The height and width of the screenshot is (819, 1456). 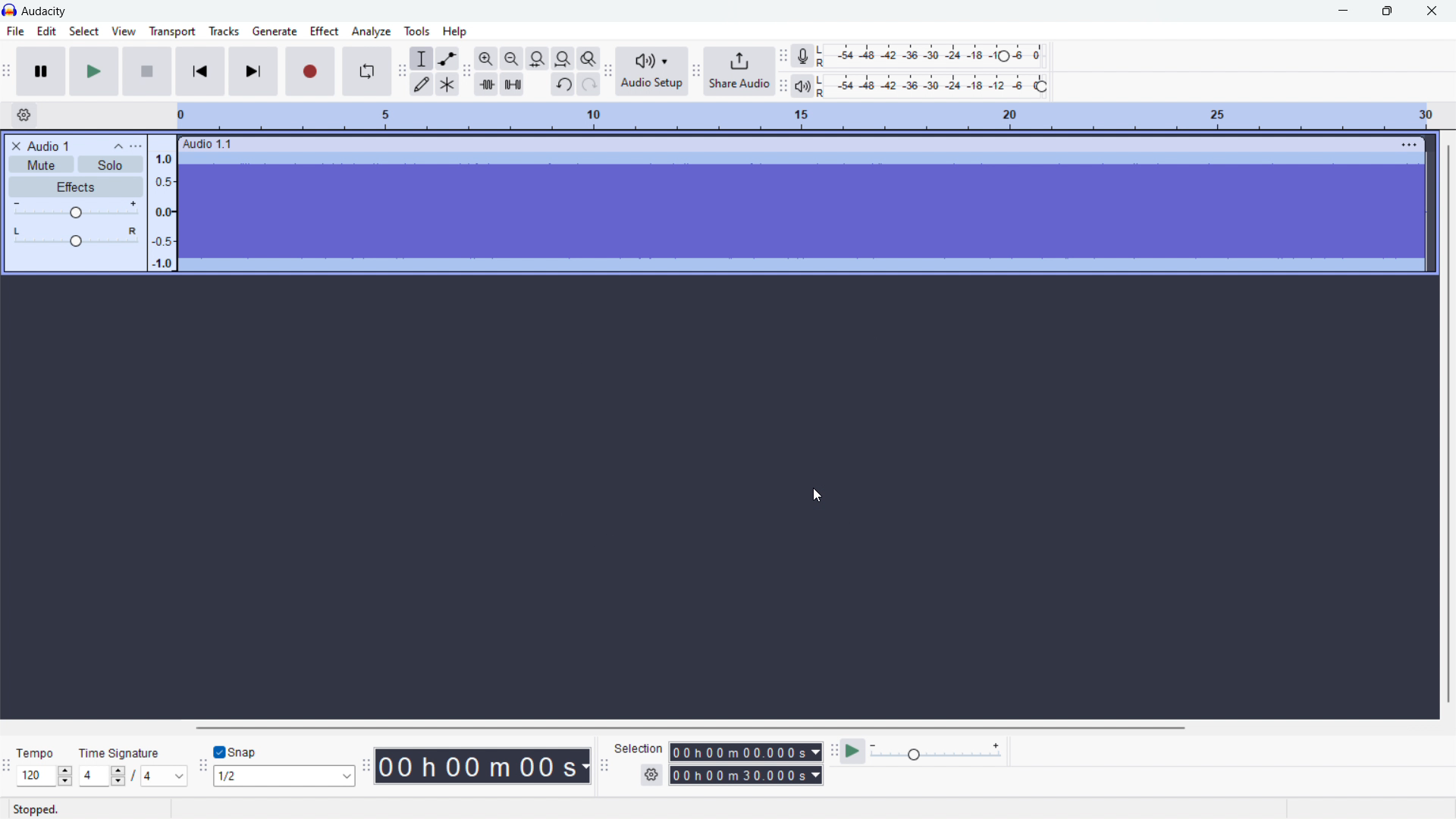 What do you see at coordinates (588, 84) in the screenshot?
I see `redo` at bounding box center [588, 84].